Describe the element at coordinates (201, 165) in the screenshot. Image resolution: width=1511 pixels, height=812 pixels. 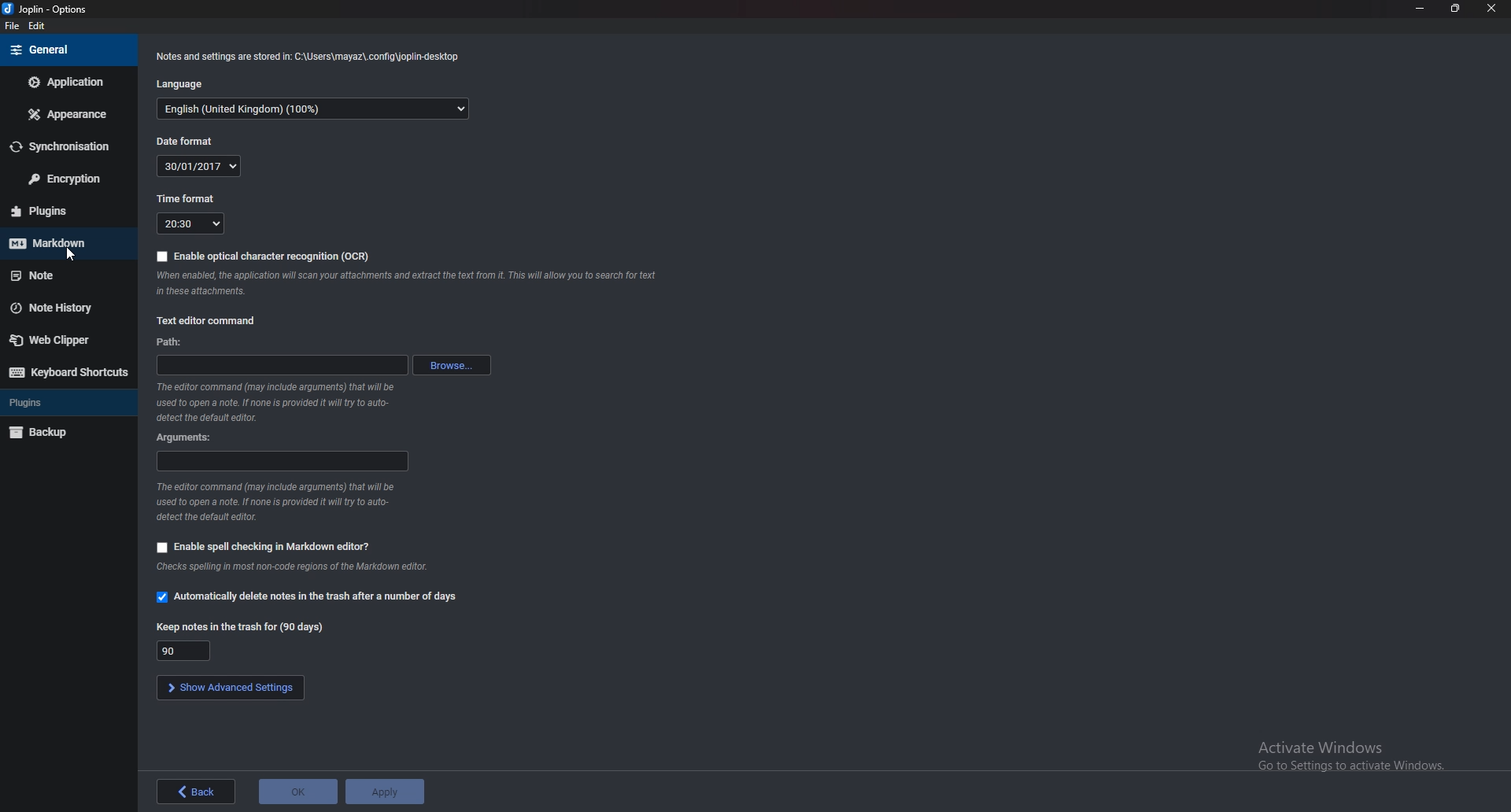
I see `Date format` at that location.